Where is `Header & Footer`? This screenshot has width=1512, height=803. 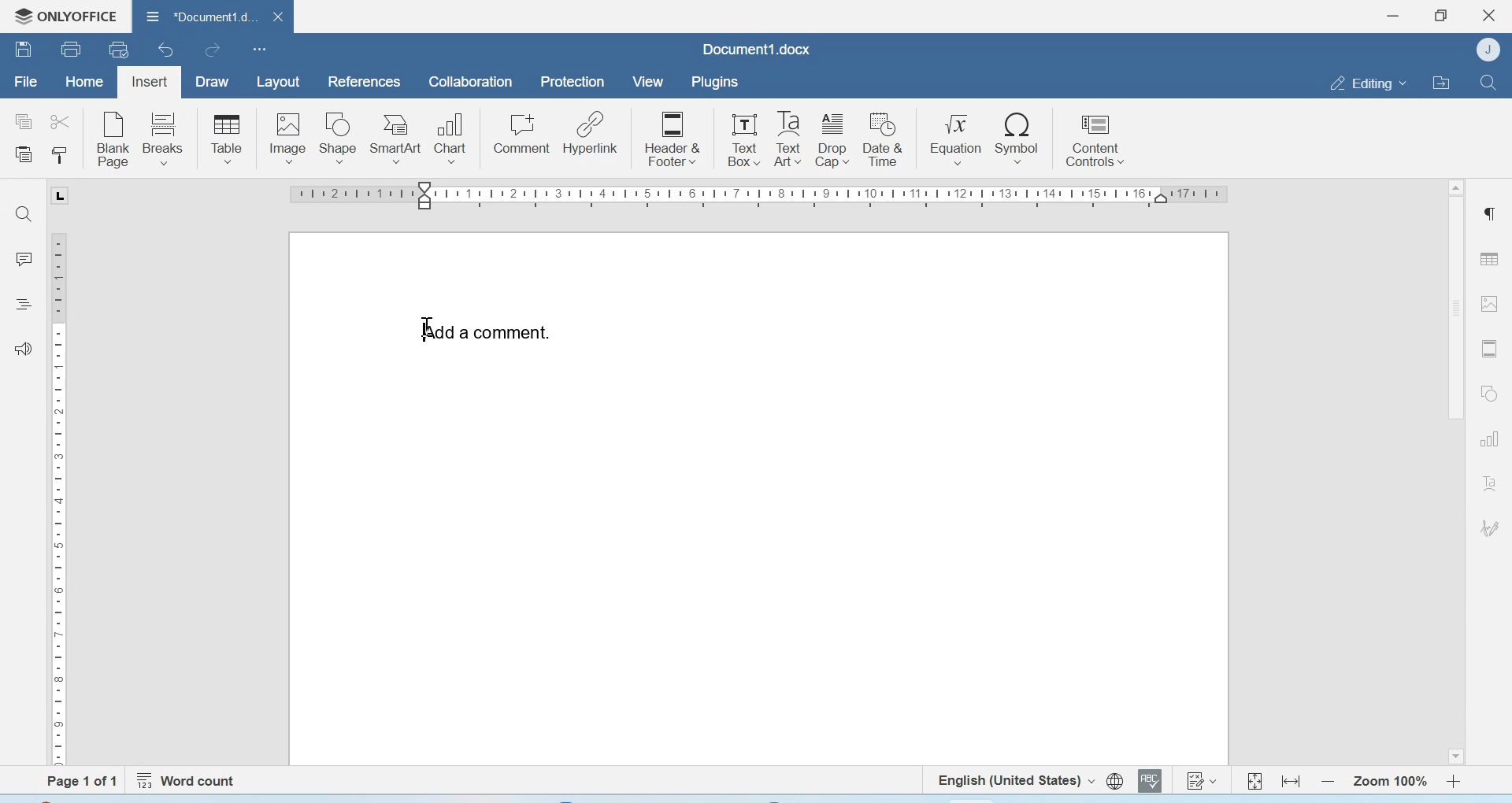
Header & Footer is located at coordinates (673, 137).